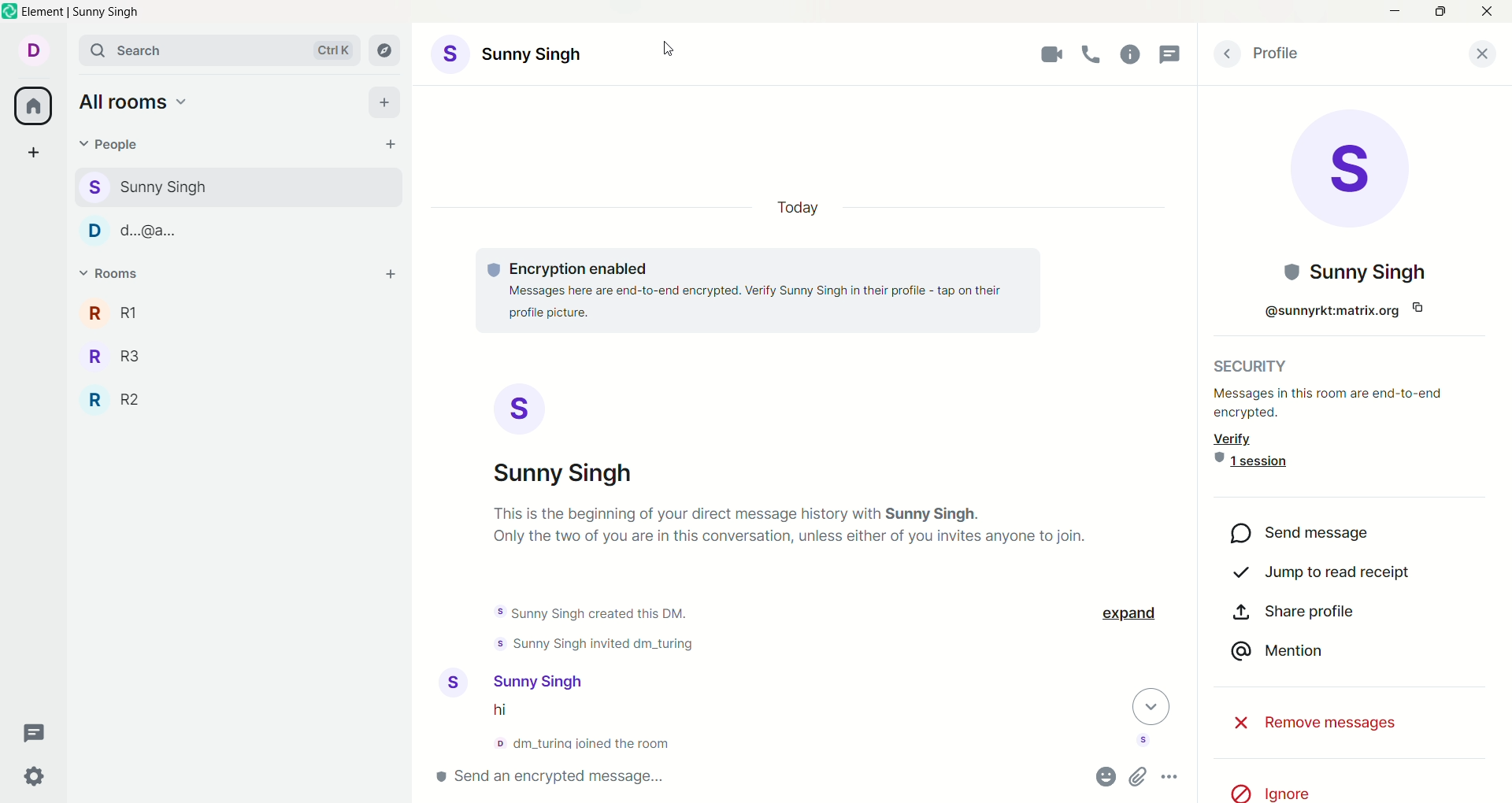 The width and height of the screenshot is (1512, 803). What do you see at coordinates (1263, 364) in the screenshot?
I see `security` at bounding box center [1263, 364].